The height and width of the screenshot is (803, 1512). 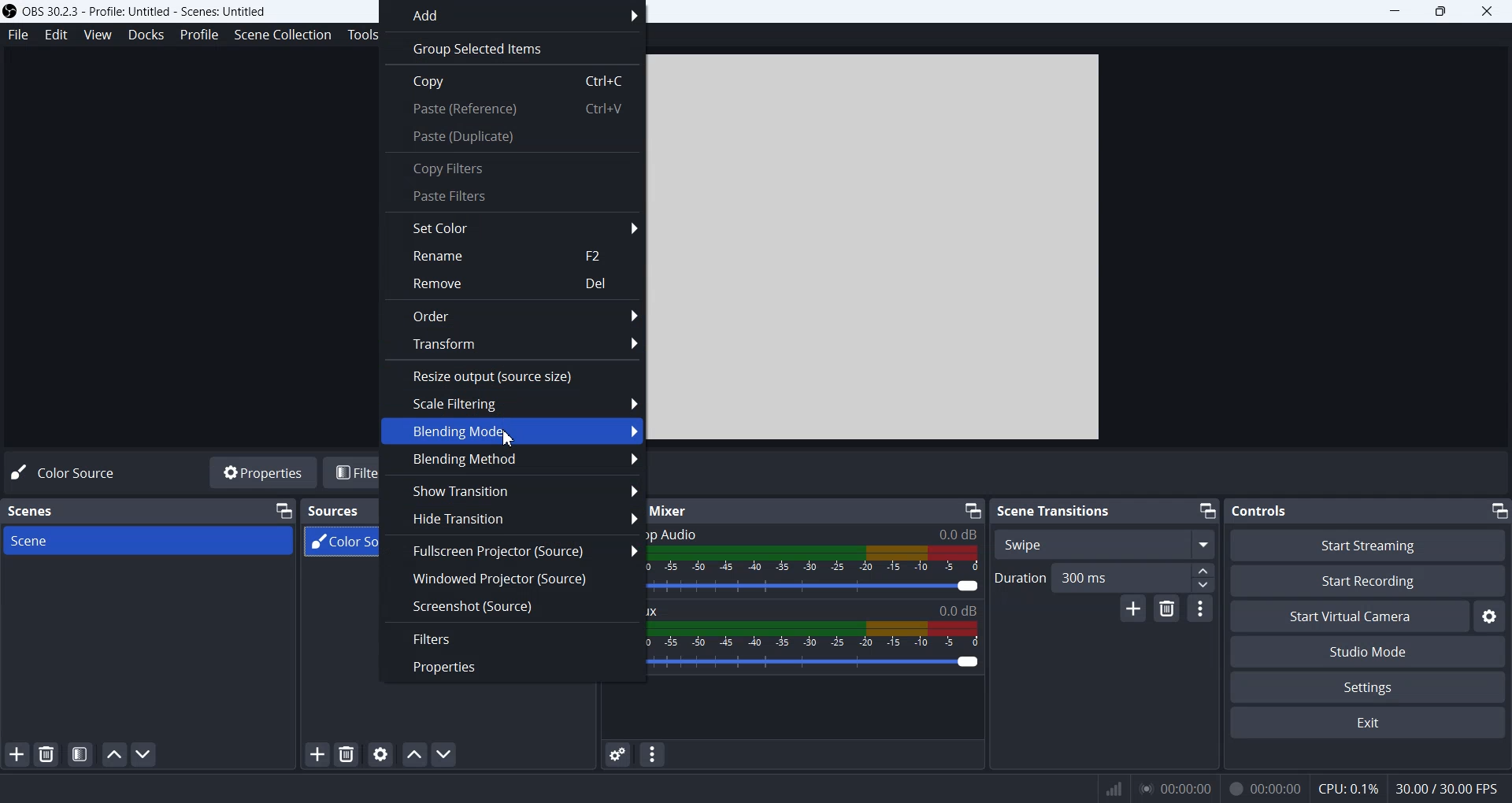 I want to click on Volume Adjuster, so click(x=818, y=661).